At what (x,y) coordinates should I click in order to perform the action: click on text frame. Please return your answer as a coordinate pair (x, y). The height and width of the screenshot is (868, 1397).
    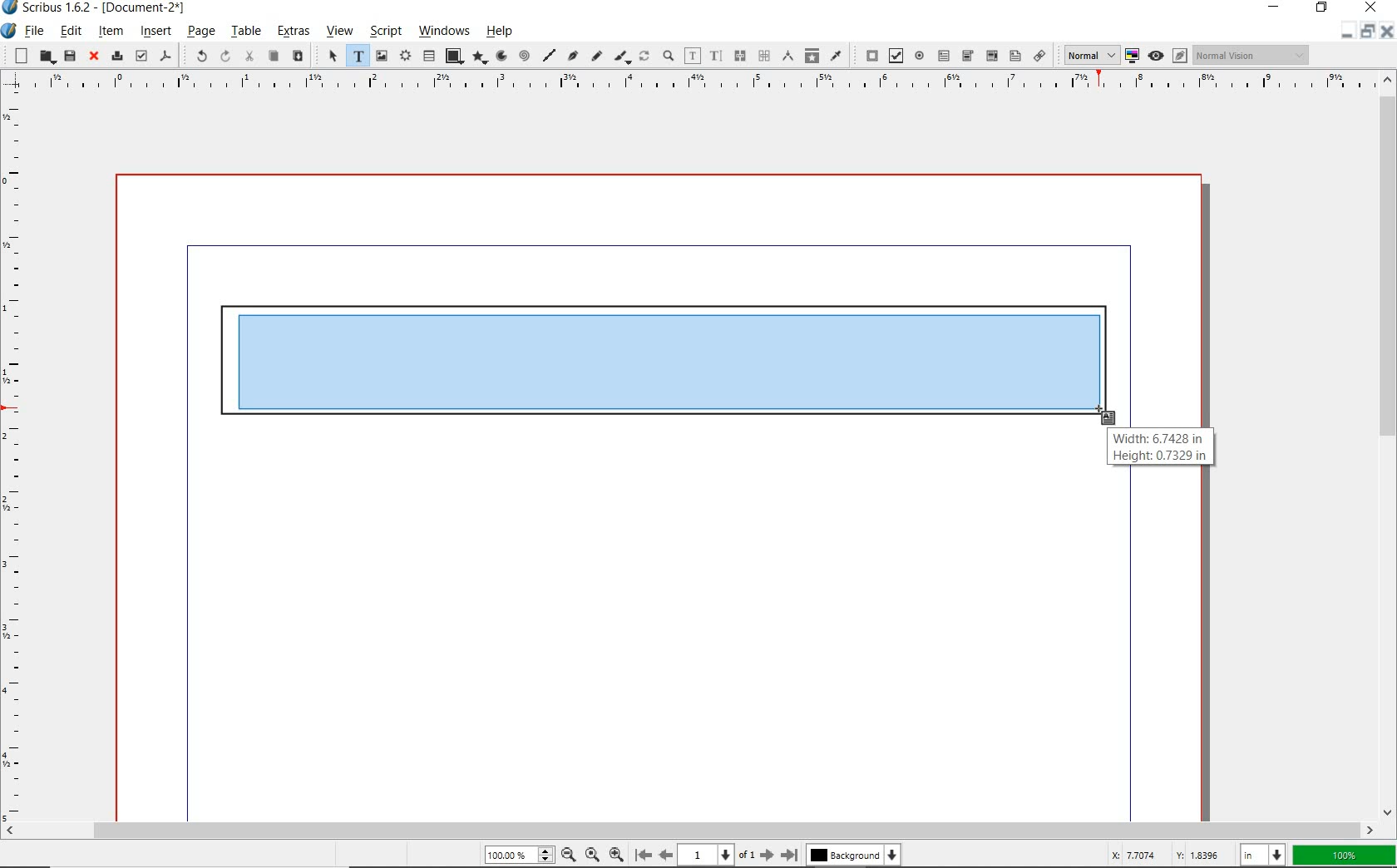
    Looking at the image, I should click on (358, 56).